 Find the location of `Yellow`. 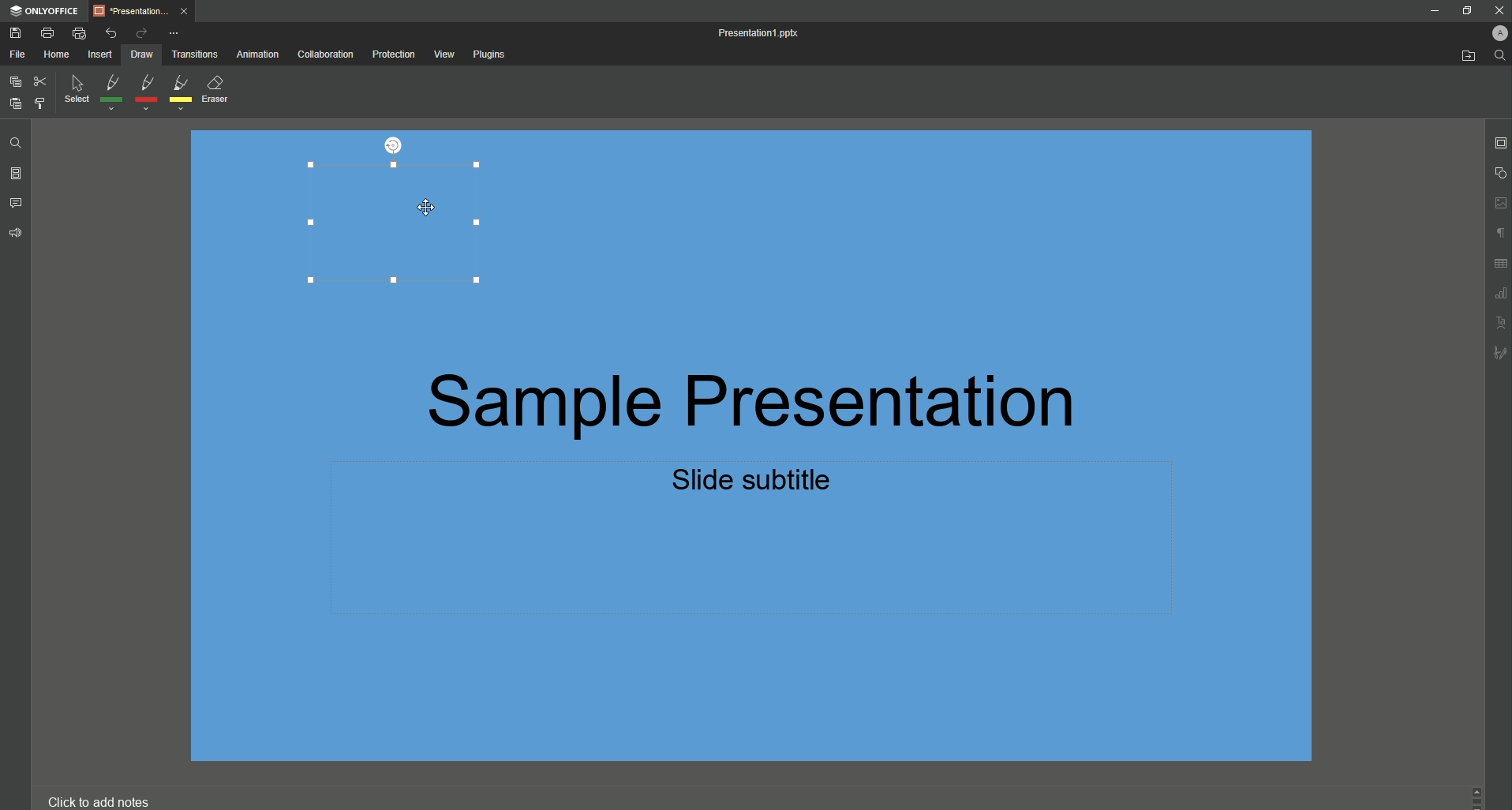

Yellow is located at coordinates (182, 93).